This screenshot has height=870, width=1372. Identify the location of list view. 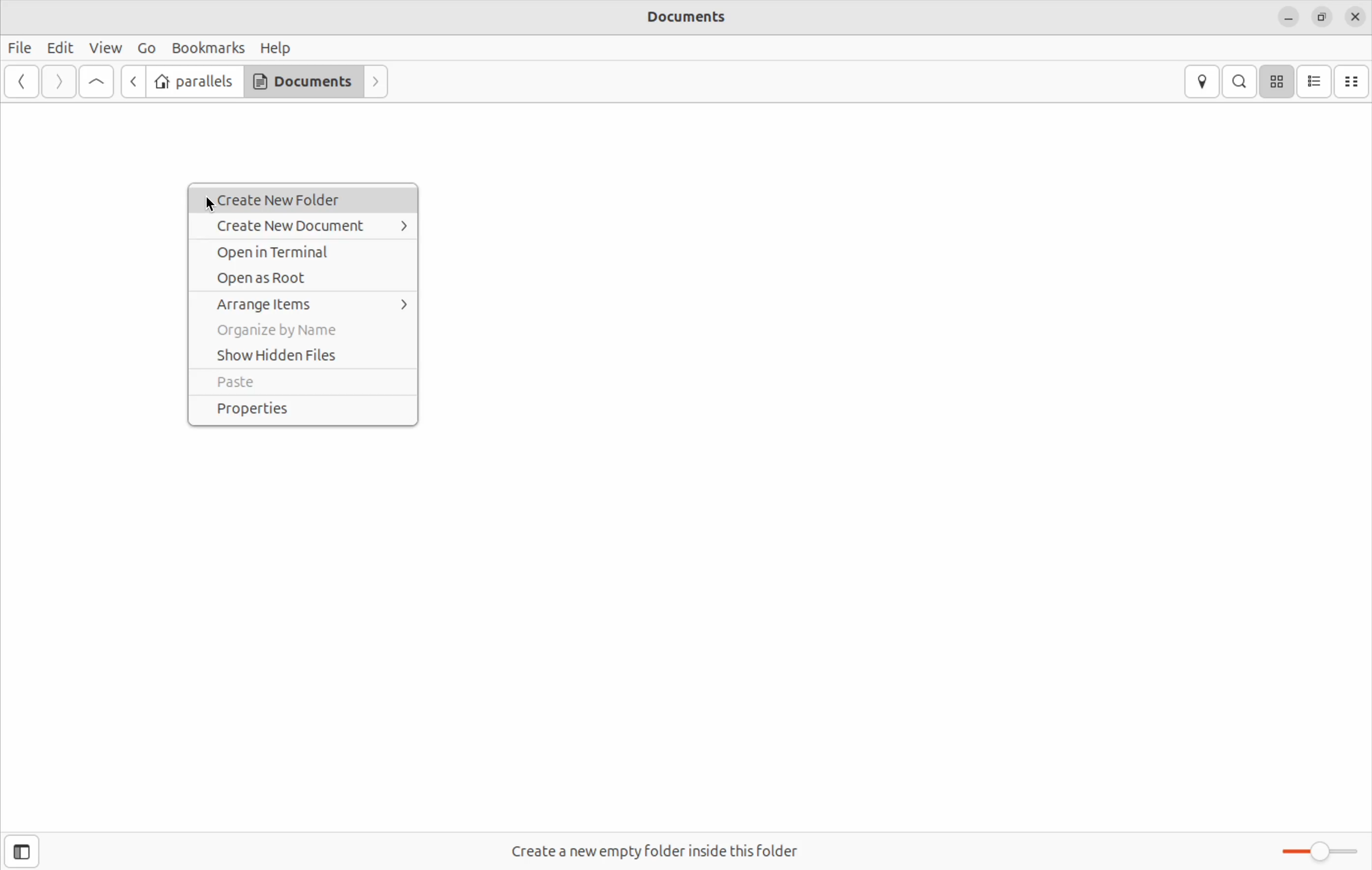
(1318, 80).